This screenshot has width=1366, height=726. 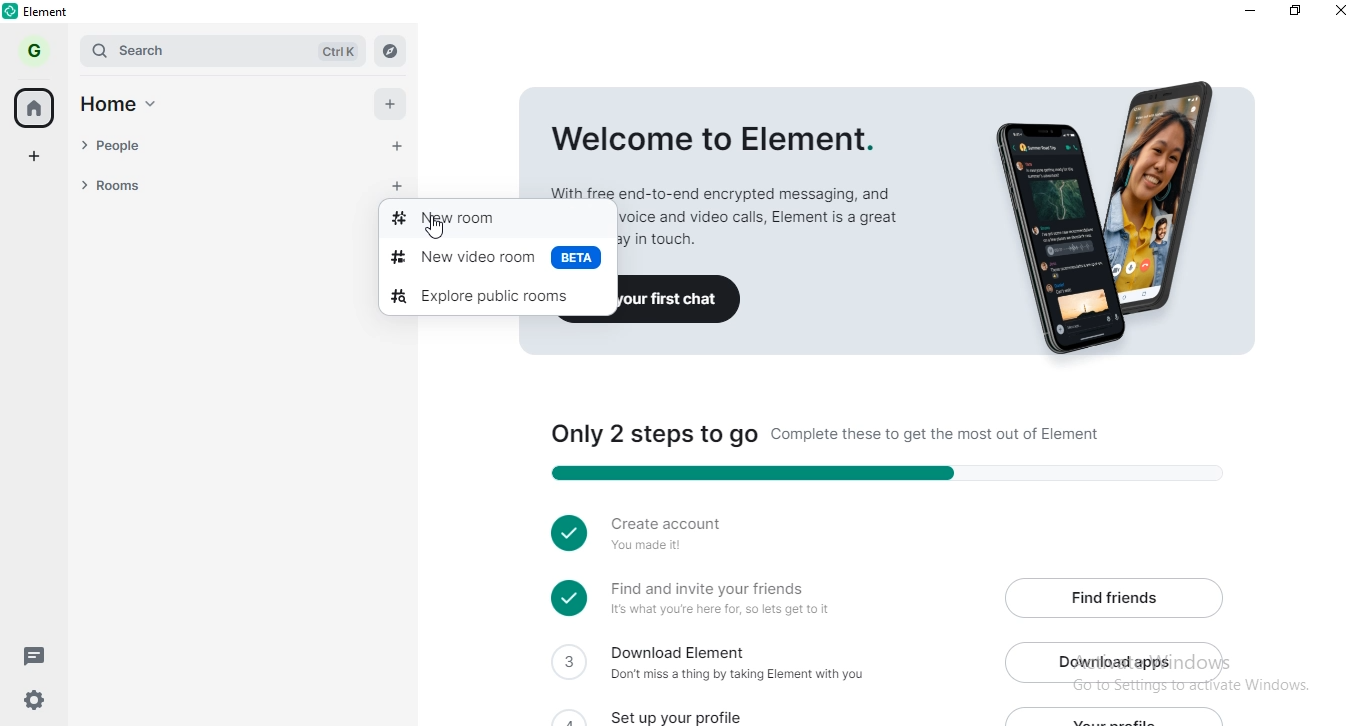 I want to click on home, so click(x=37, y=107).